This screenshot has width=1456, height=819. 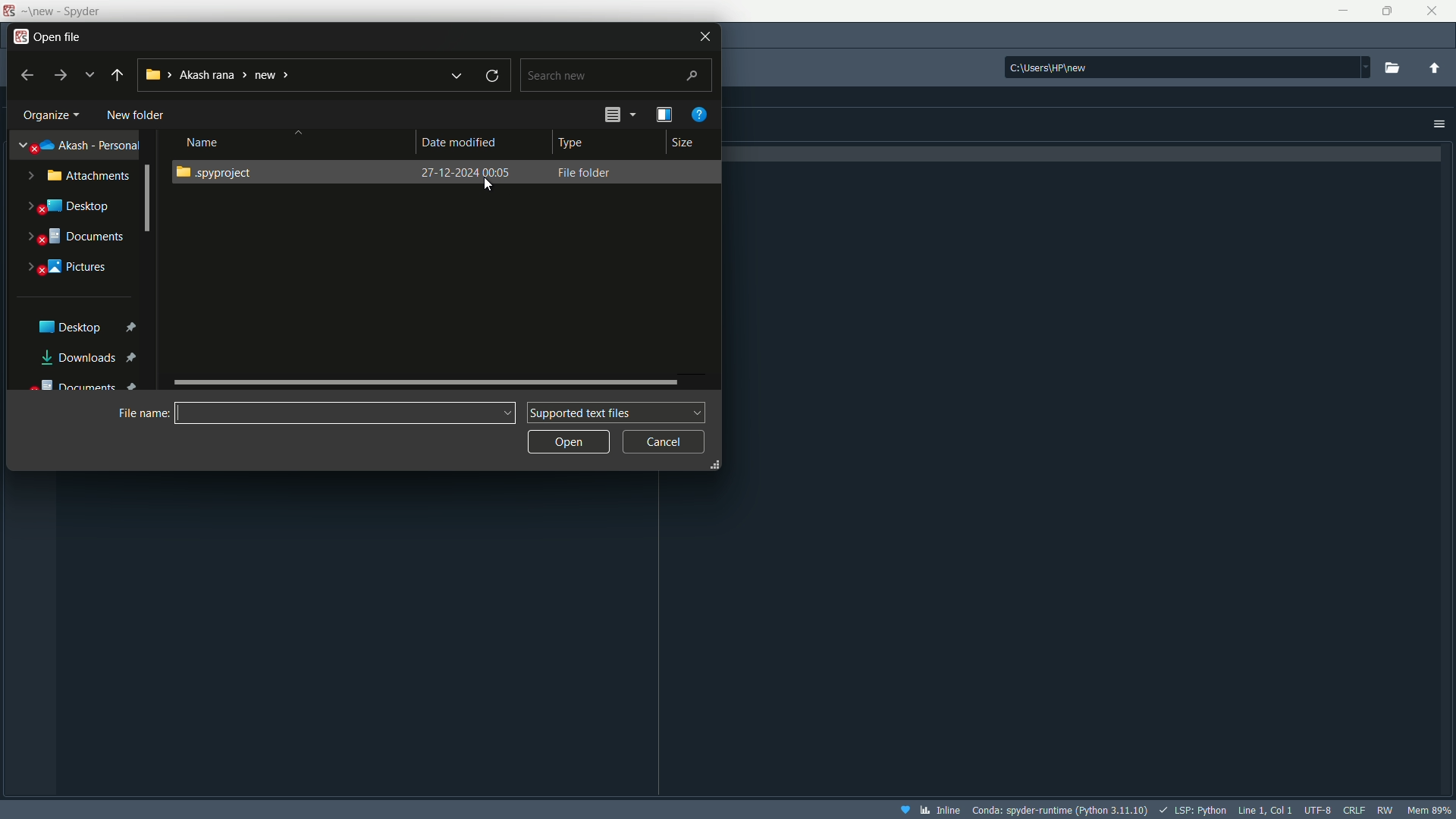 I want to click on Spyder, so click(x=71, y=11).